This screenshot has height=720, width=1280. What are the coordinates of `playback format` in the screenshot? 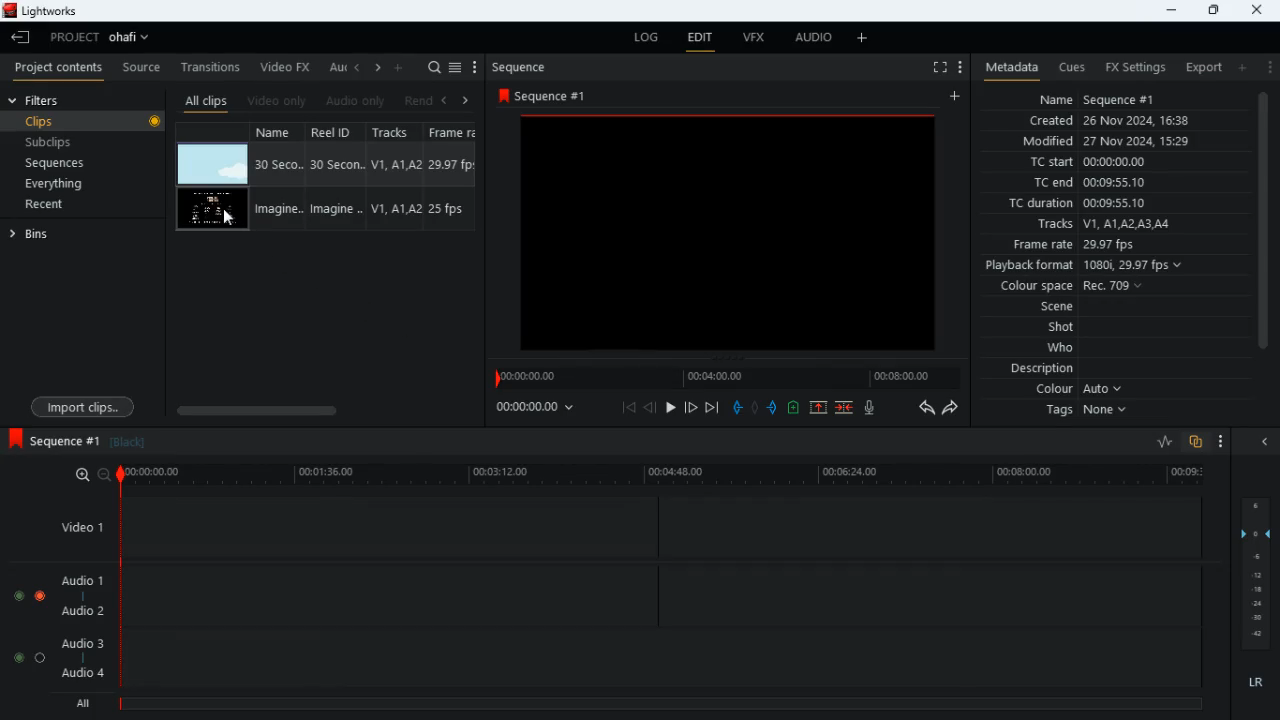 It's located at (1090, 267).